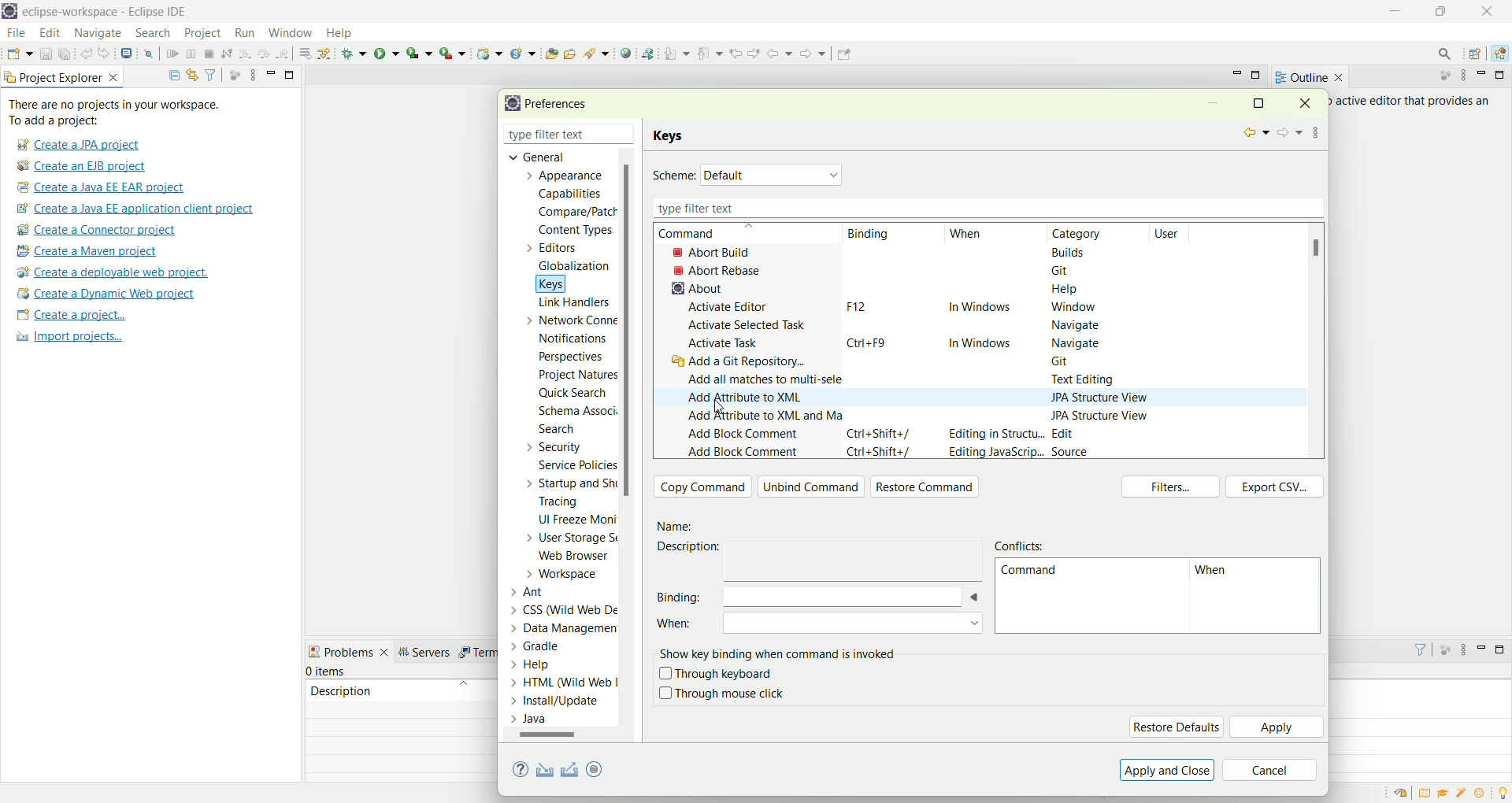 Image resolution: width=1512 pixels, height=803 pixels. I want to click on Pin editor, so click(842, 56).